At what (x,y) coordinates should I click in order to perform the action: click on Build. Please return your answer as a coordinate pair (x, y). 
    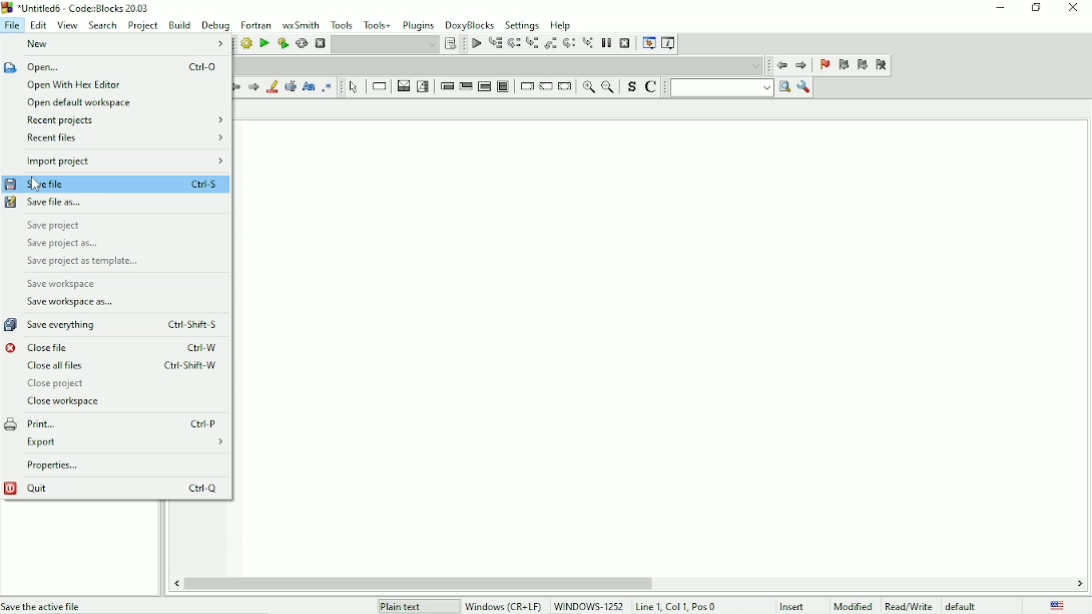
    Looking at the image, I should click on (180, 24).